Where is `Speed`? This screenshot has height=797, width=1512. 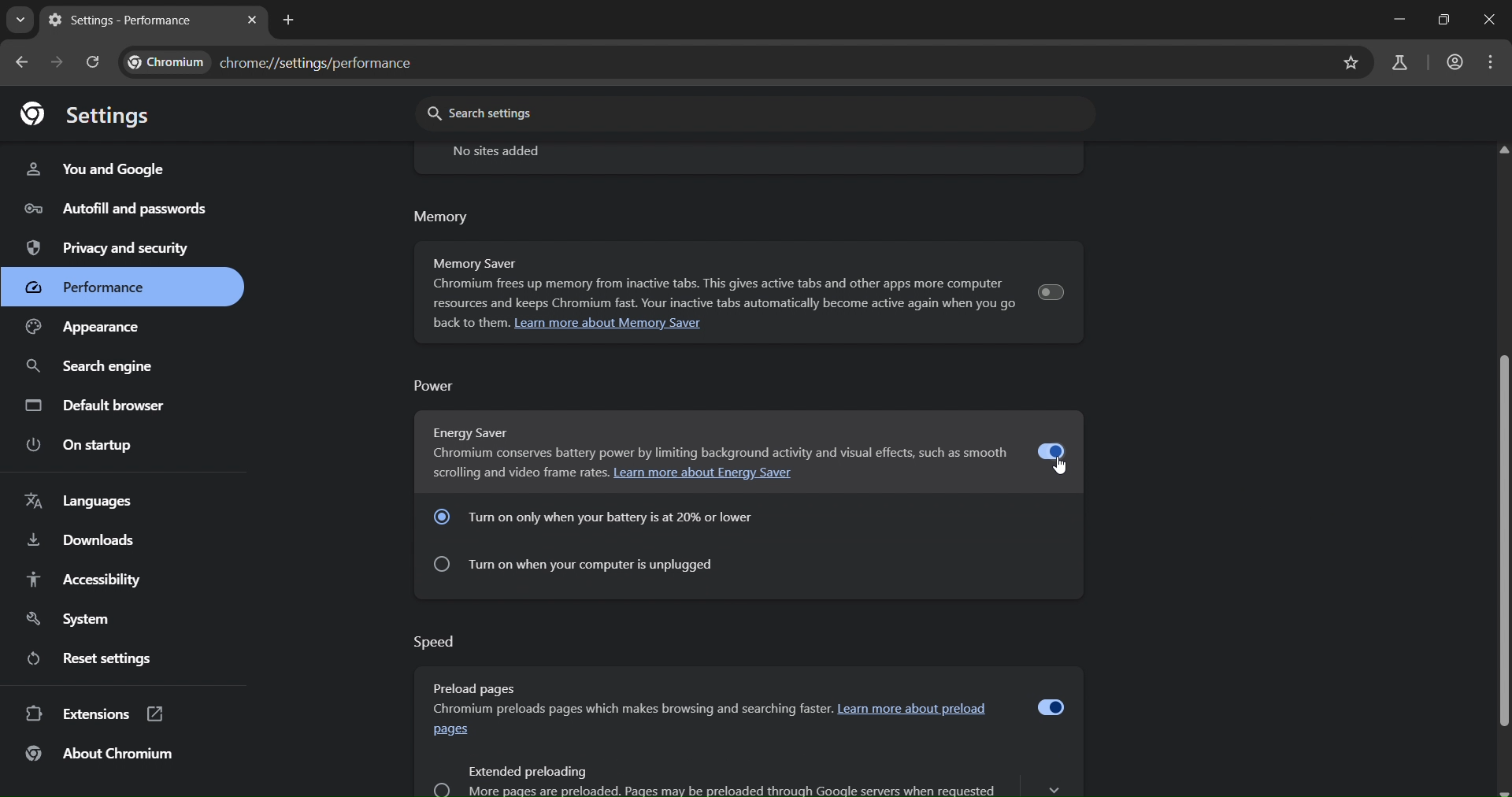
Speed is located at coordinates (439, 642).